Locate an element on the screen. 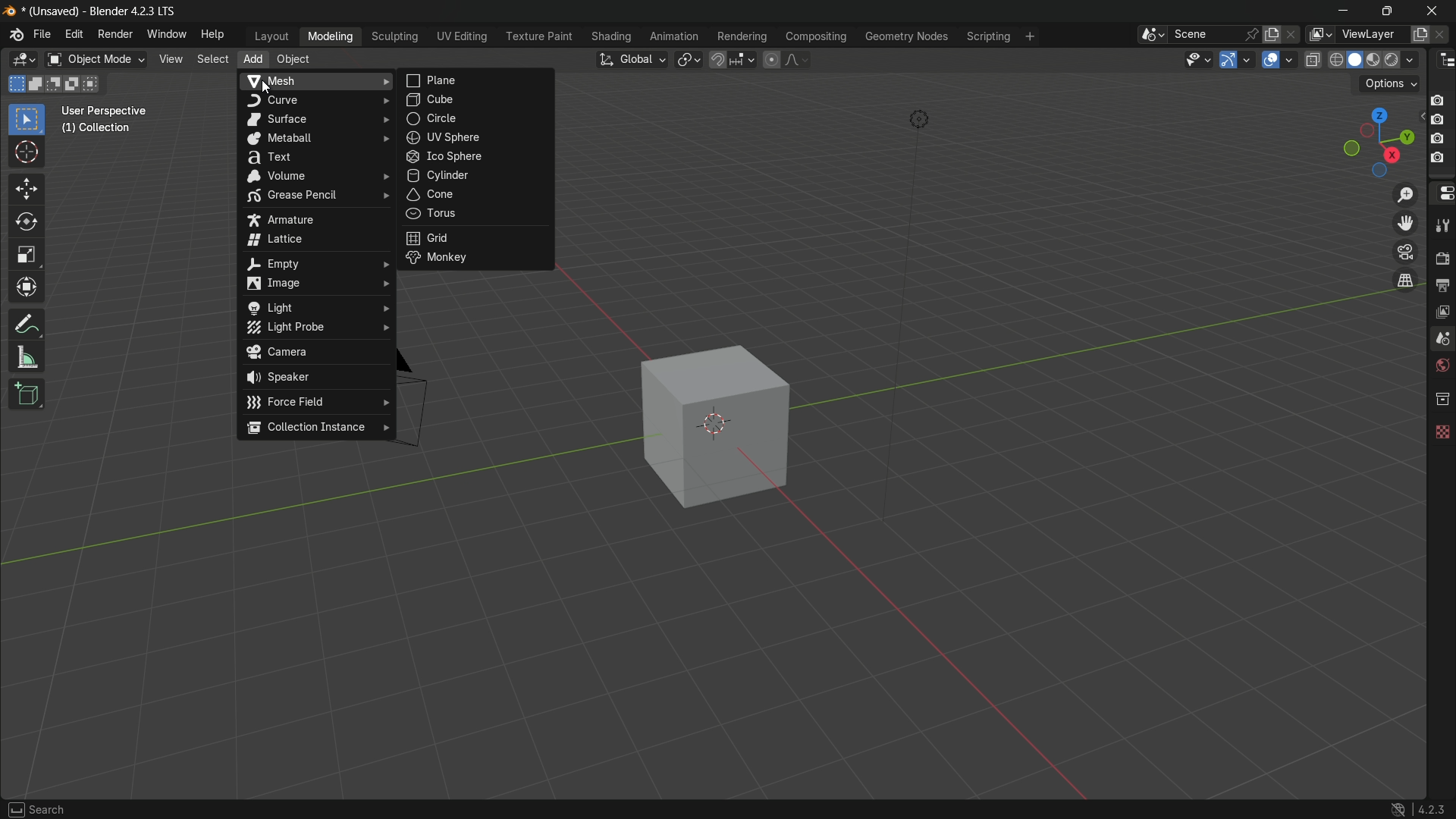  collections is located at coordinates (1441, 399).